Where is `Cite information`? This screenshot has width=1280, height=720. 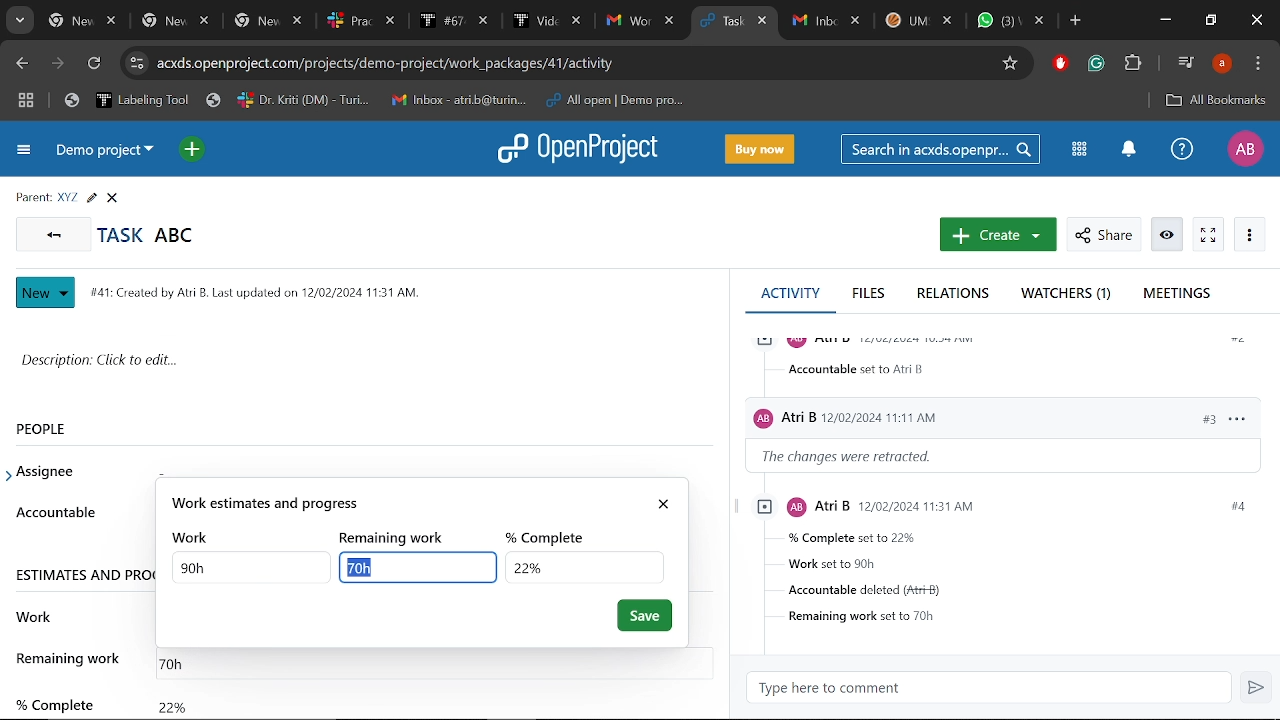
Cite information is located at coordinates (136, 63).